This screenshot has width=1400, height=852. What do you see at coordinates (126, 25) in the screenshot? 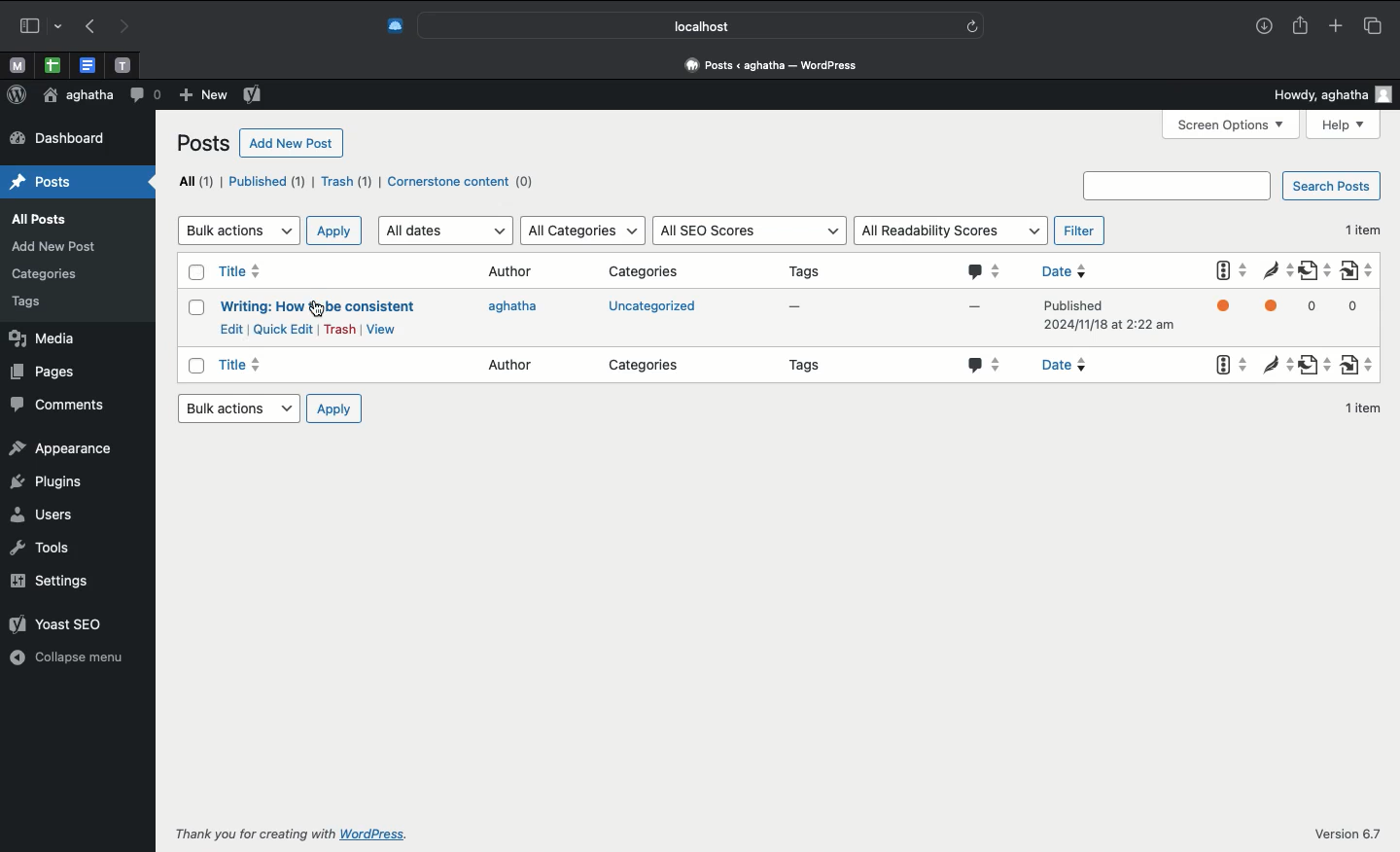
I see `Next page` at bounding box center [126, 25].